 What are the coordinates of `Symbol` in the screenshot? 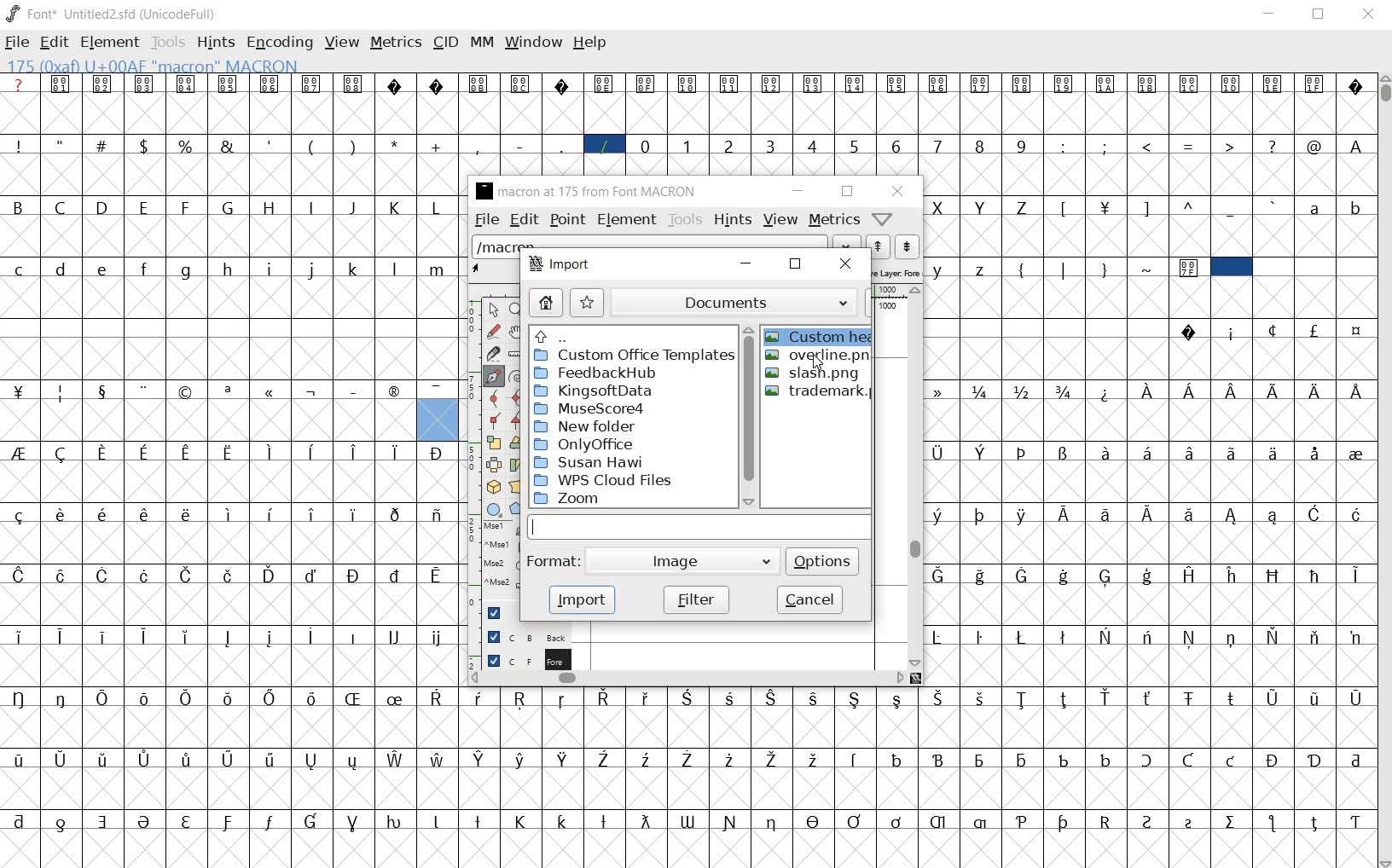 It's located at (1274, 390).